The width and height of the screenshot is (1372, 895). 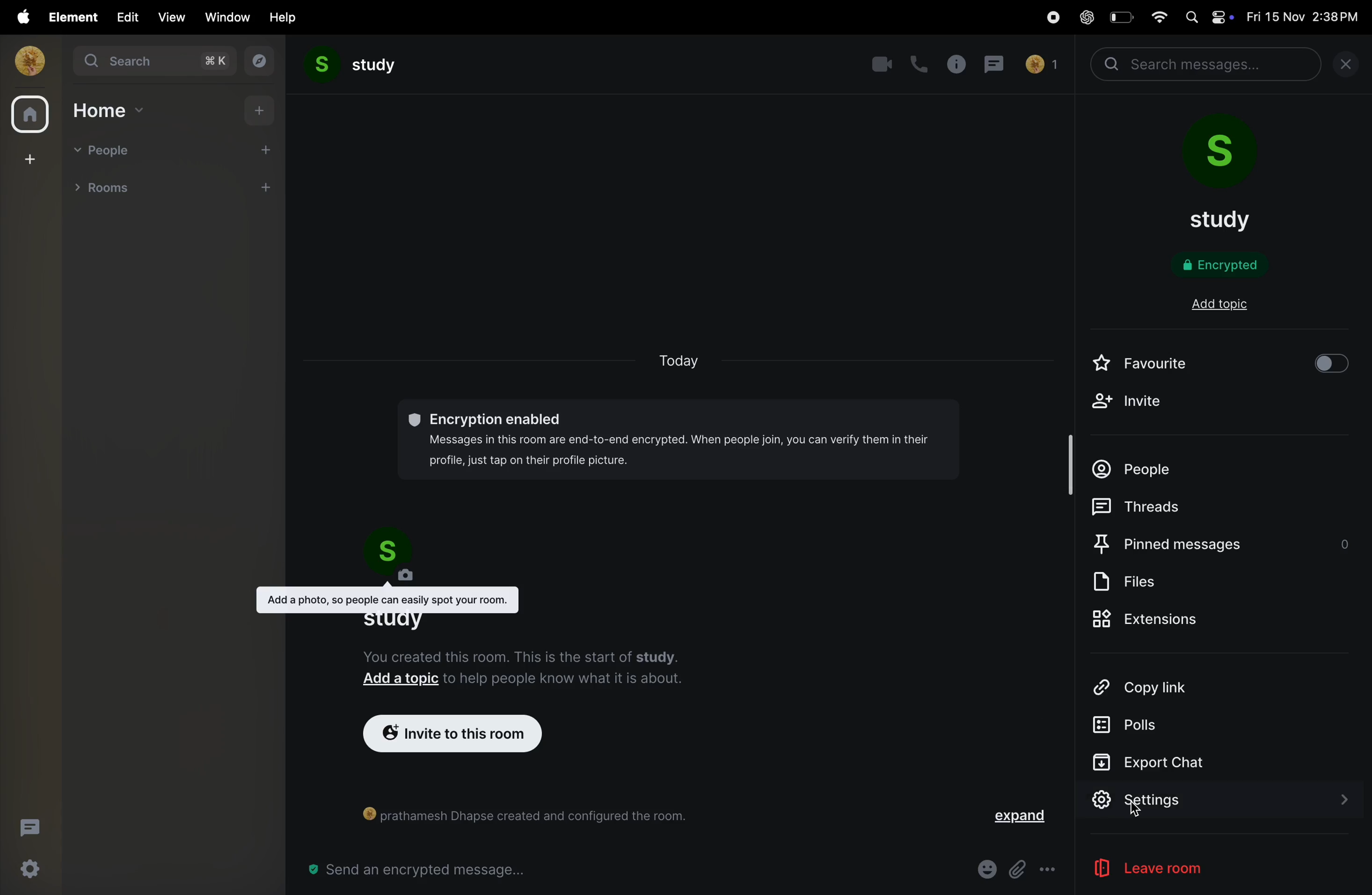 I want to click on Add a topic, so click(x=401, y=680).